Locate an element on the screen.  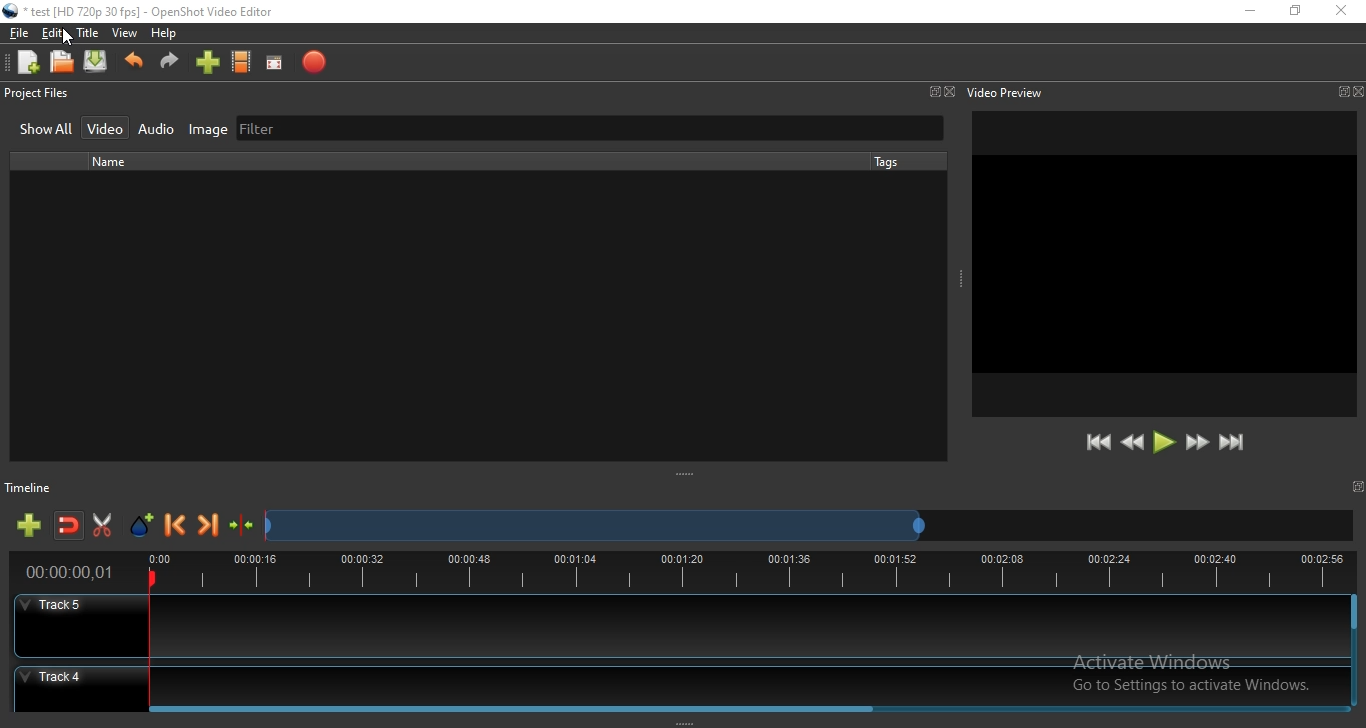
Next marker is located at coordinates (209, 528).